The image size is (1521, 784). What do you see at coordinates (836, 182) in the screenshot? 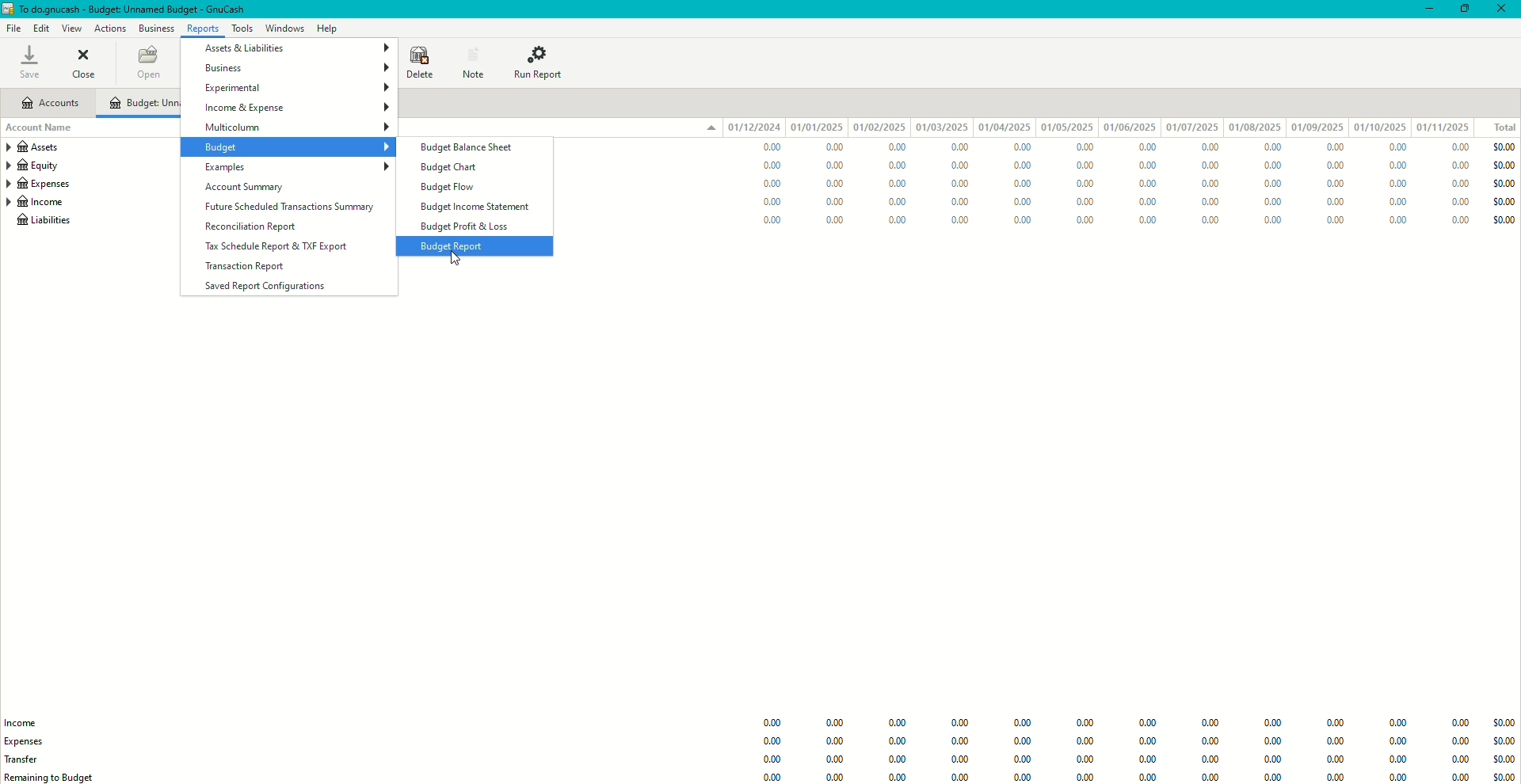
I see `0.00` at bounding box center [836, 182].